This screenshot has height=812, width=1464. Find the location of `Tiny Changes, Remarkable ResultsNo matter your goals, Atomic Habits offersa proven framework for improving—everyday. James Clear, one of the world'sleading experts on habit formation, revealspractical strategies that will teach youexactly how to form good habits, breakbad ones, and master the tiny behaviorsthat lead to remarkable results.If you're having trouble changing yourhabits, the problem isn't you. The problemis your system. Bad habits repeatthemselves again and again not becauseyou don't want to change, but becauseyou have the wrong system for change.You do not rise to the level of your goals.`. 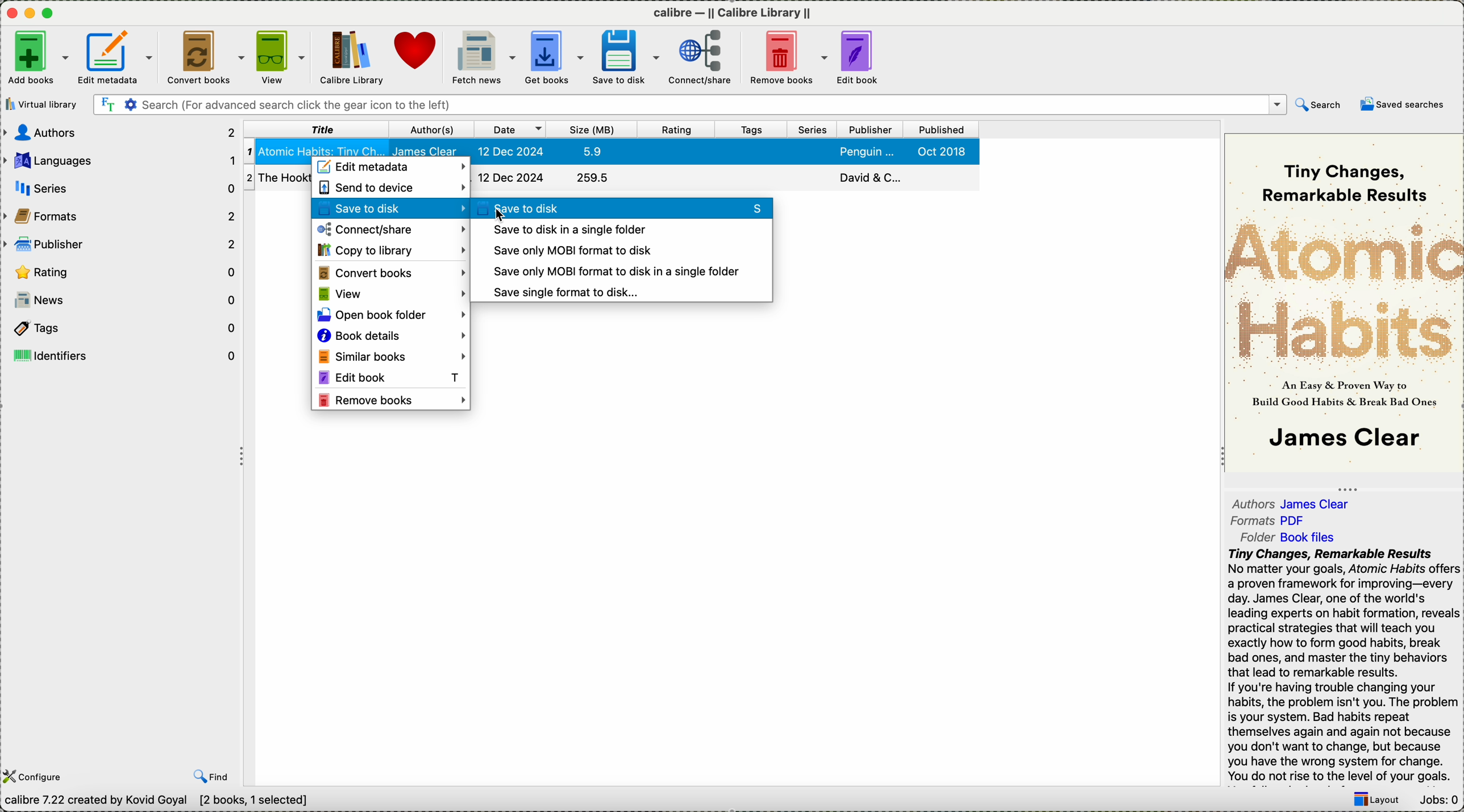

Tiny Changes, Remarkable ResultsNo matter your goals, Atomic Habits offersa proven framework for improving—everyday. James Clear, one of the world'sleading experts on habit formation, revealspractical strategies that will teach youexactly how to form good habits, breakbad ones, and master the tiny behaviorsthat lead to remarkable results.If you're having trouble changing yourhabits, the problem isn't you. The problemis your system. Bad habits repeatthemselves again and again not becauseyou don't want to change, but becauseyou have the wrong system for change.You do not rise to the level of your goals. is located at coordinates (1341, 665).